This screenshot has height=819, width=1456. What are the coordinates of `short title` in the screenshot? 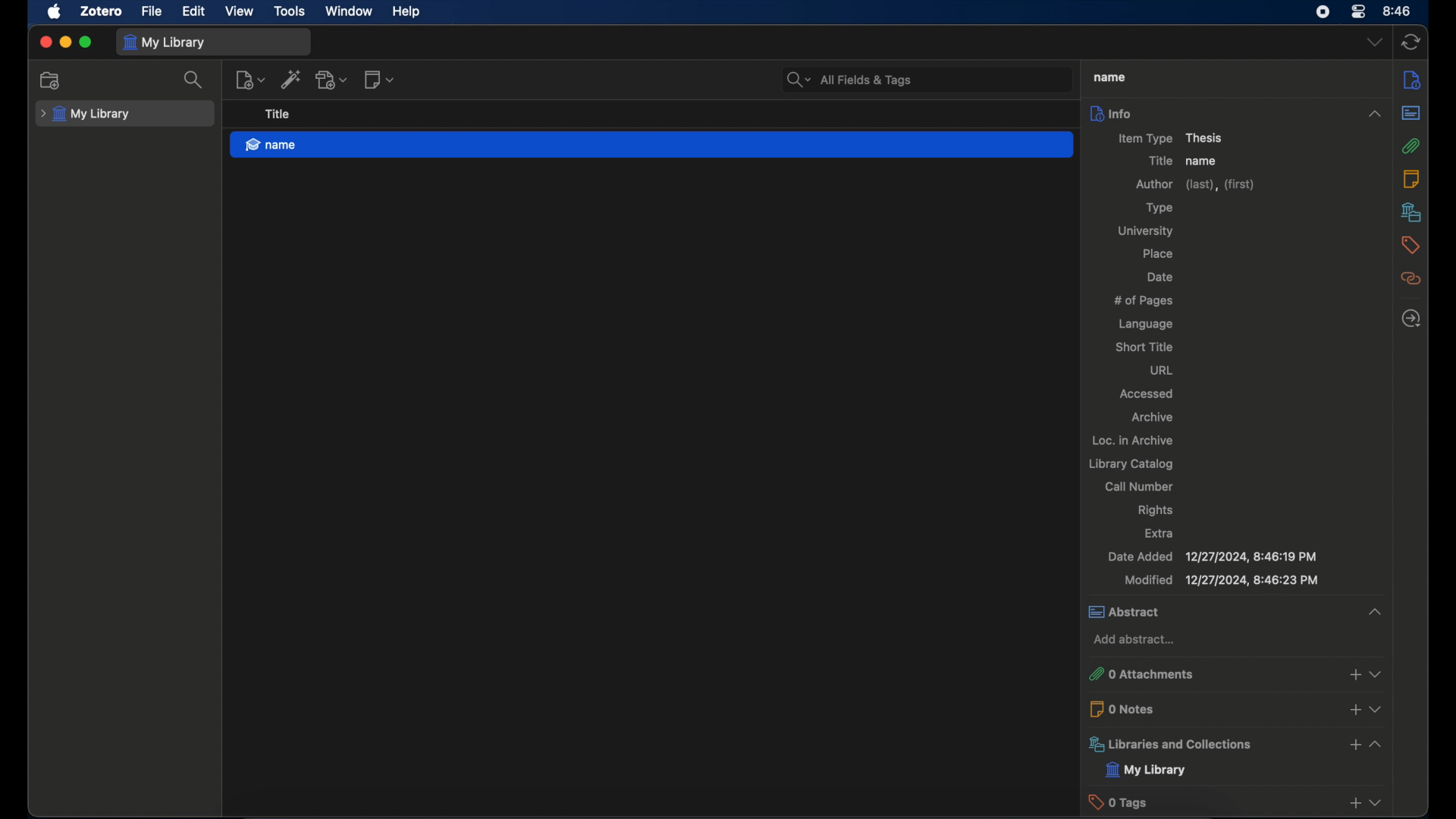 It's located at (1143, 347).